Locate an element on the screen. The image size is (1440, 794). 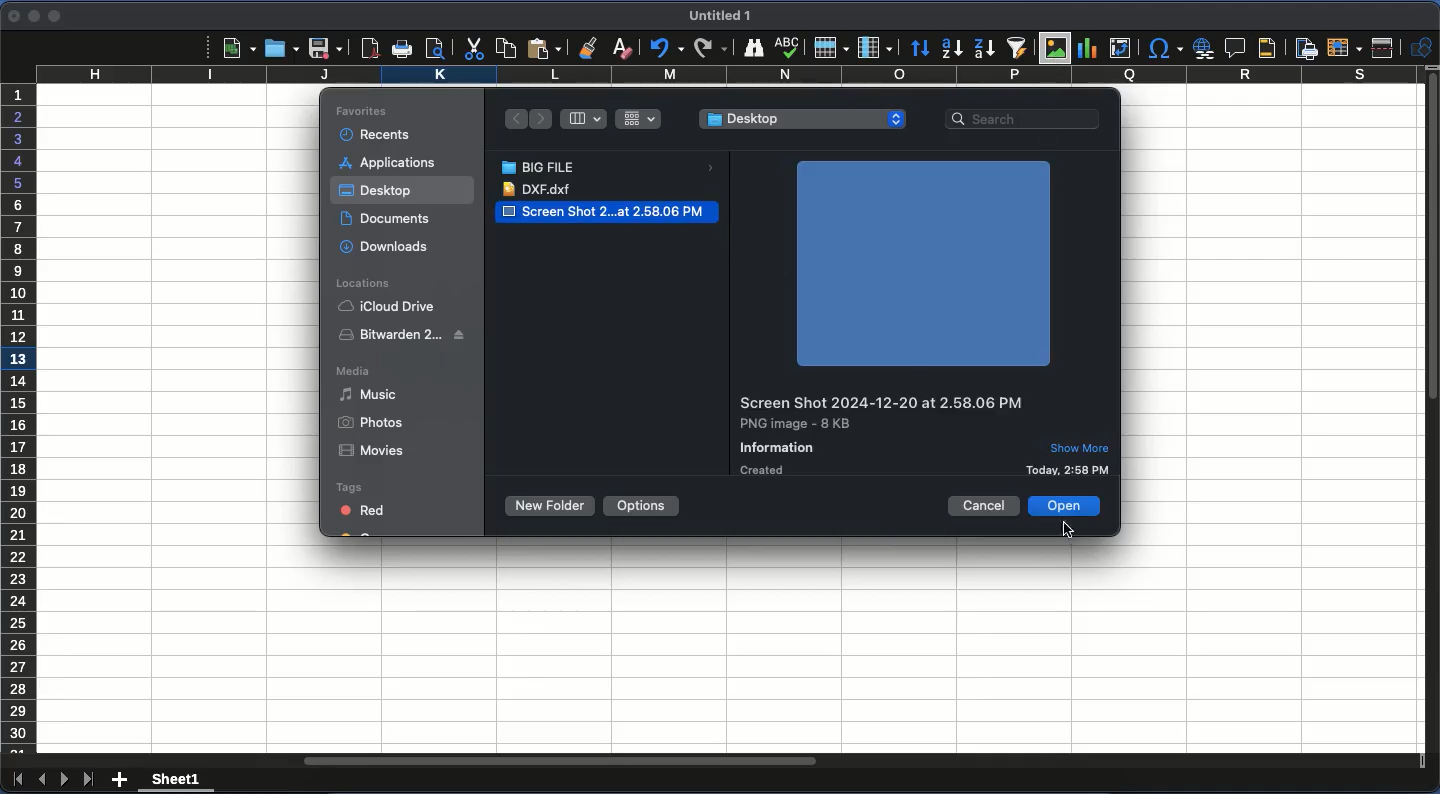
define print area is located at coordinates (1305, 49).